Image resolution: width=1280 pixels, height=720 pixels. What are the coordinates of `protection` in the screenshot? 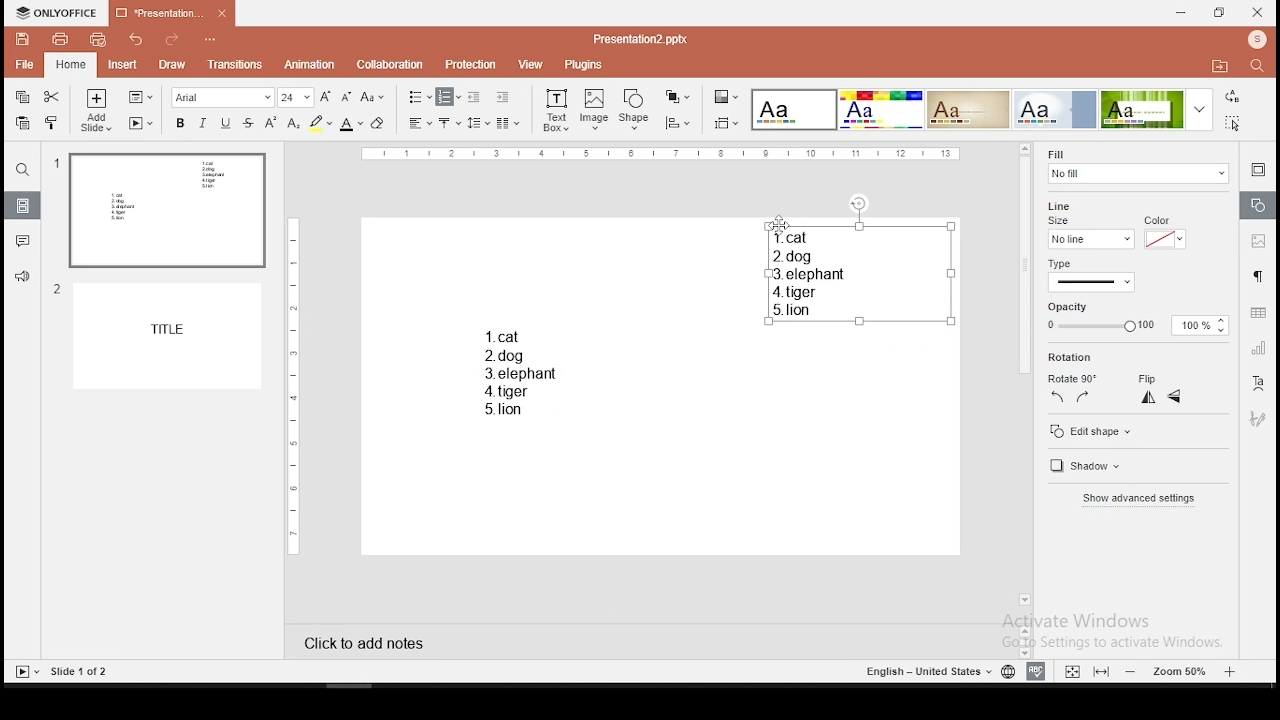 It's located at (472, 63).